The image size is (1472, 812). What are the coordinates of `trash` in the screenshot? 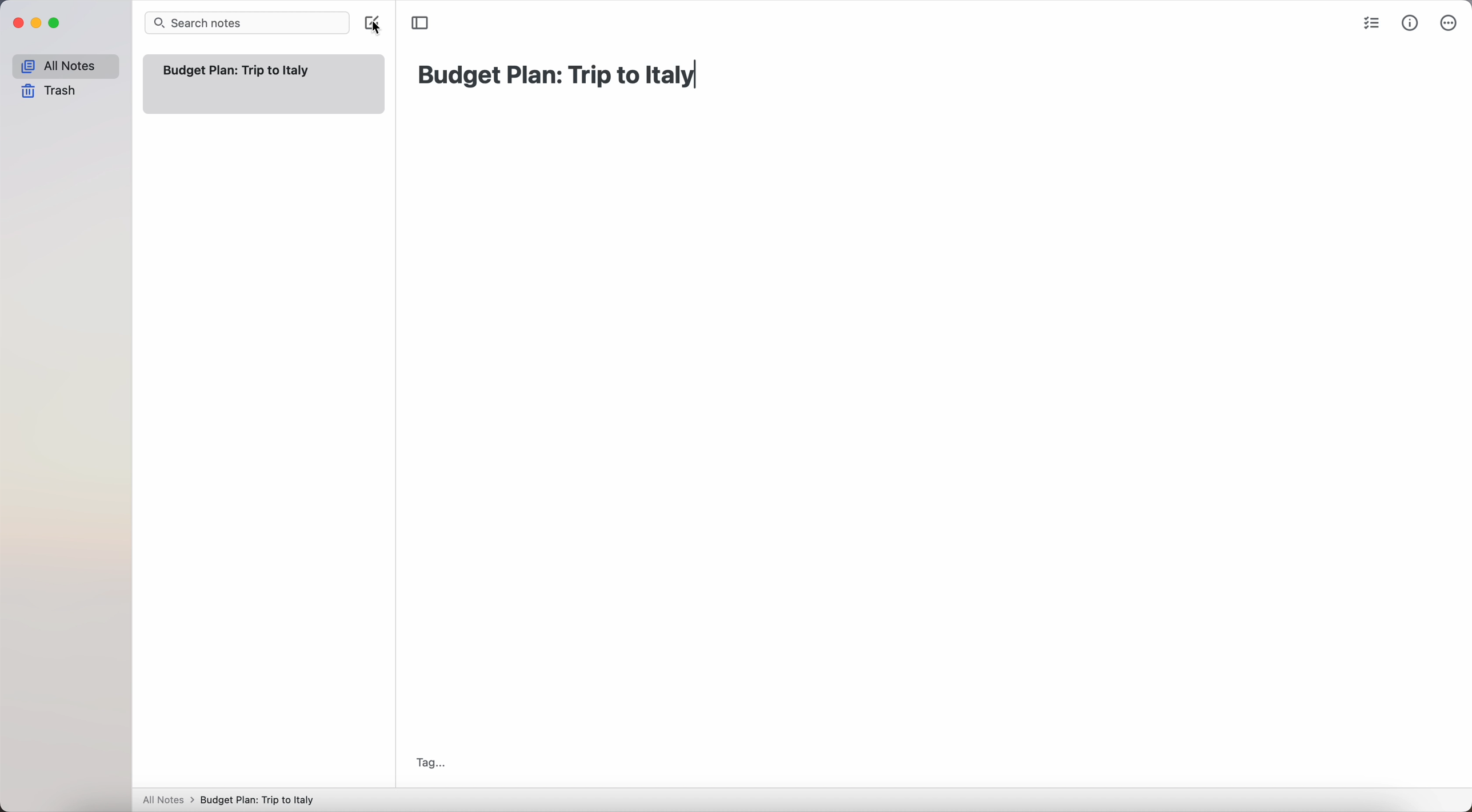 It's located at (49, 91).